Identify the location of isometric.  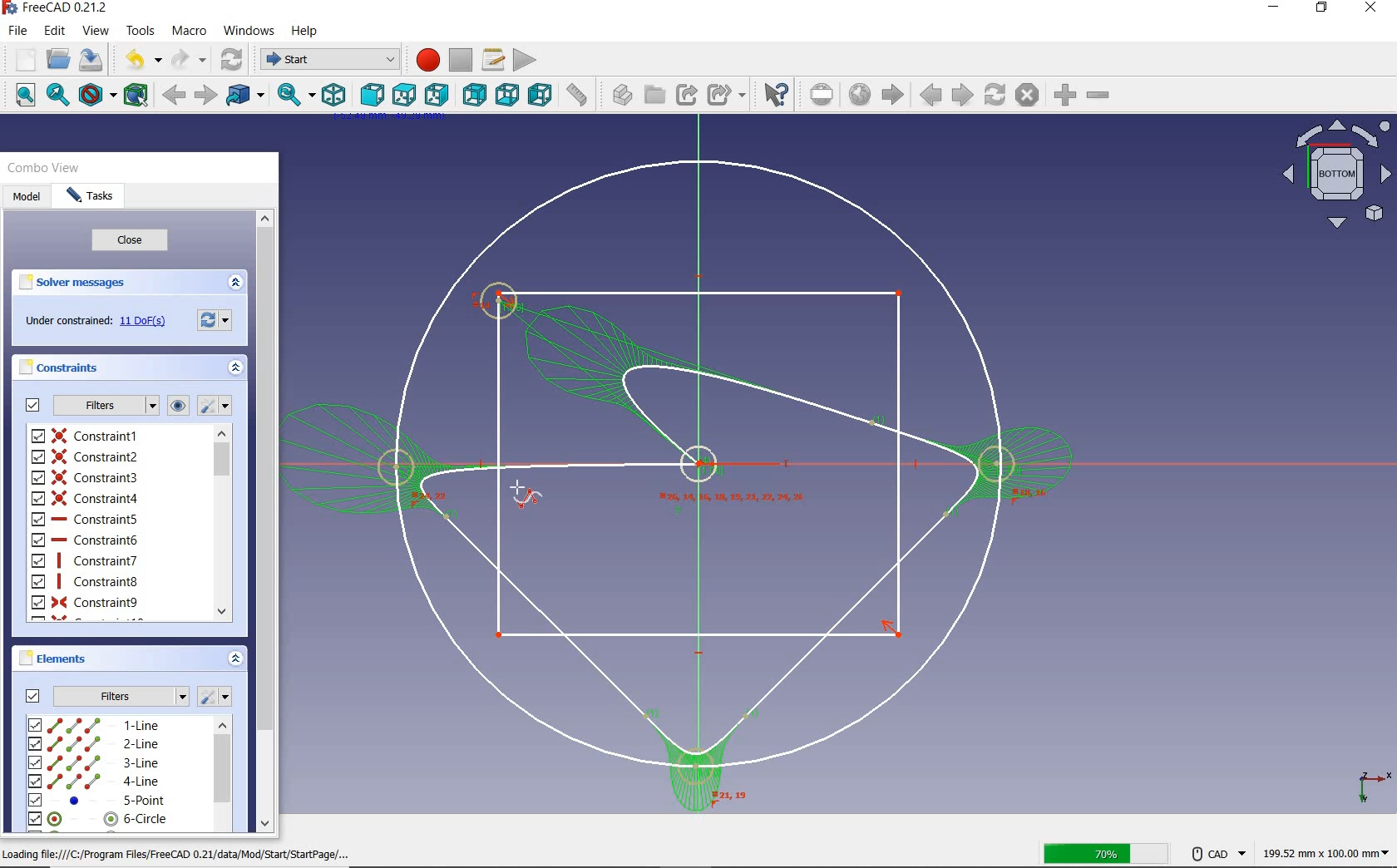
(335, 96).